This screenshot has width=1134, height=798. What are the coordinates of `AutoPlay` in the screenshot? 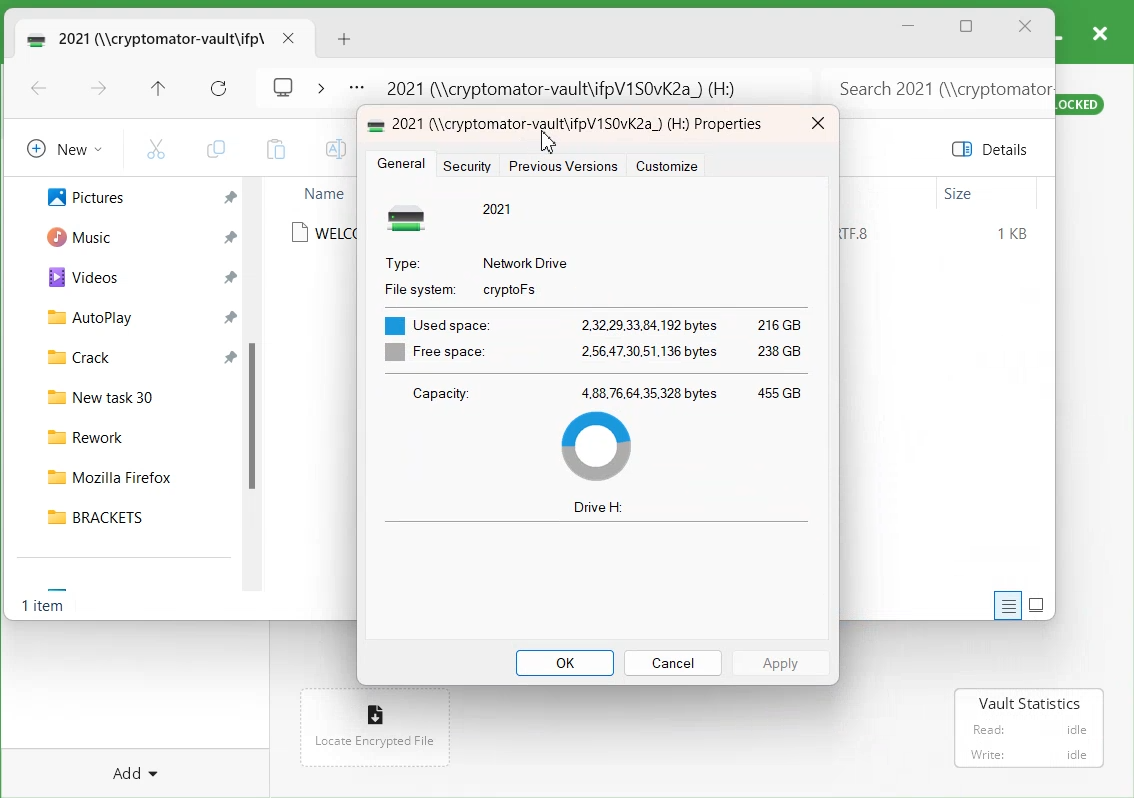 It's located at (79, 316).